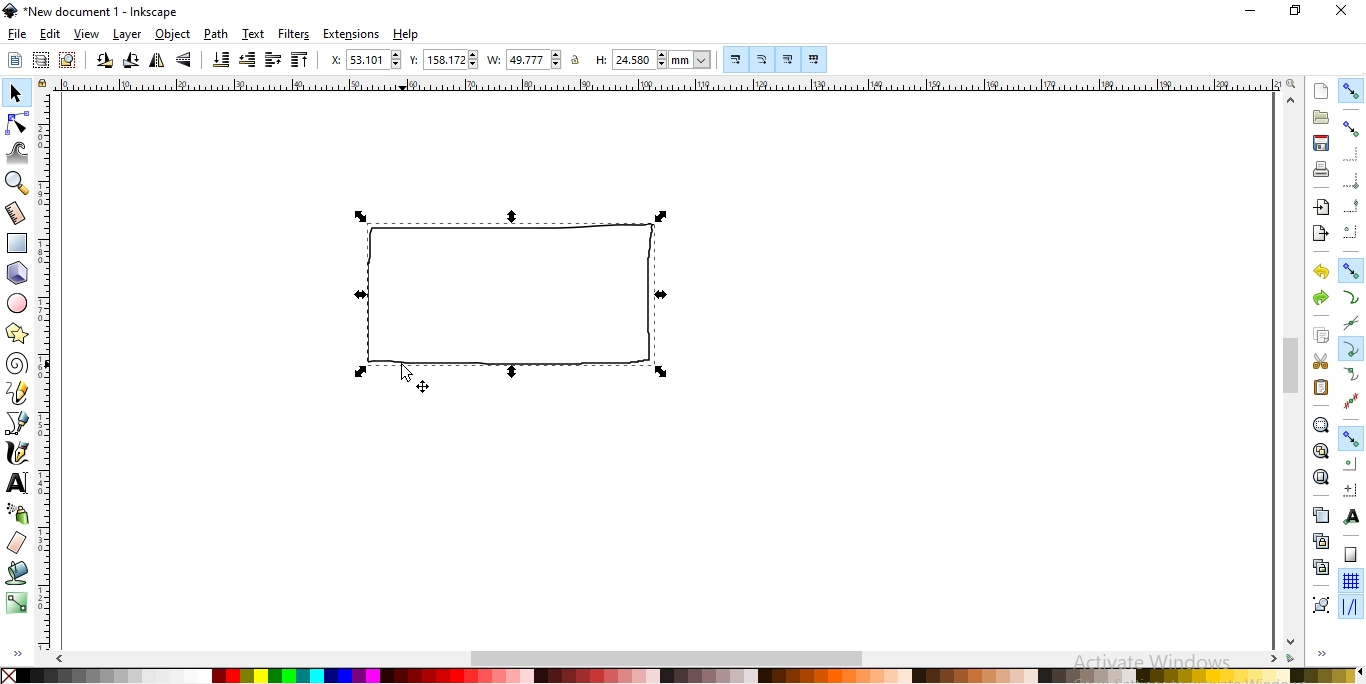 The width and height of the screenshot is (1366, 684). I want to click on tweak objects by sculpting or painting, so click(18, 154).